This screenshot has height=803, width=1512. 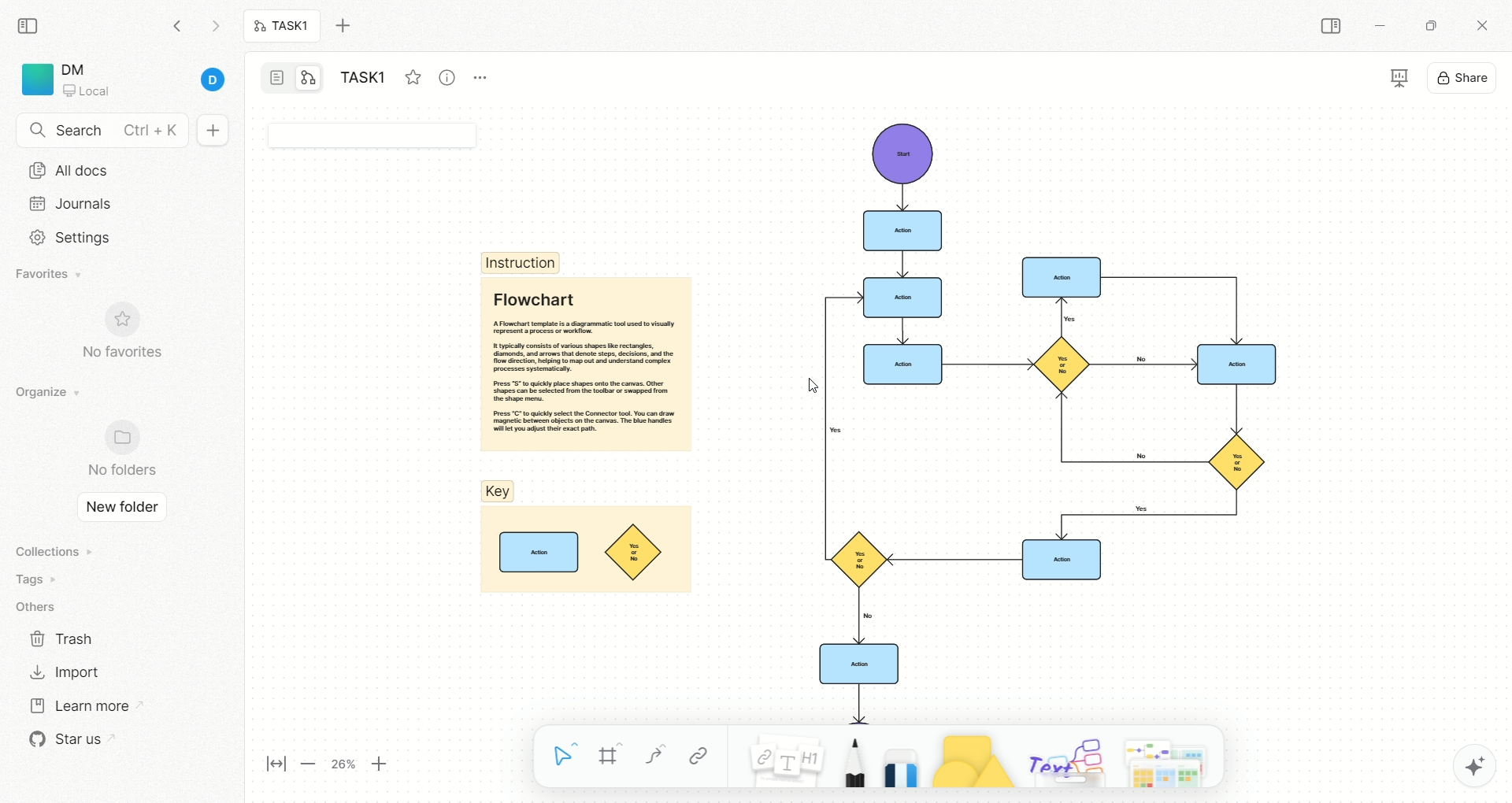 I want to click on selection, so click(x=565, y=758).